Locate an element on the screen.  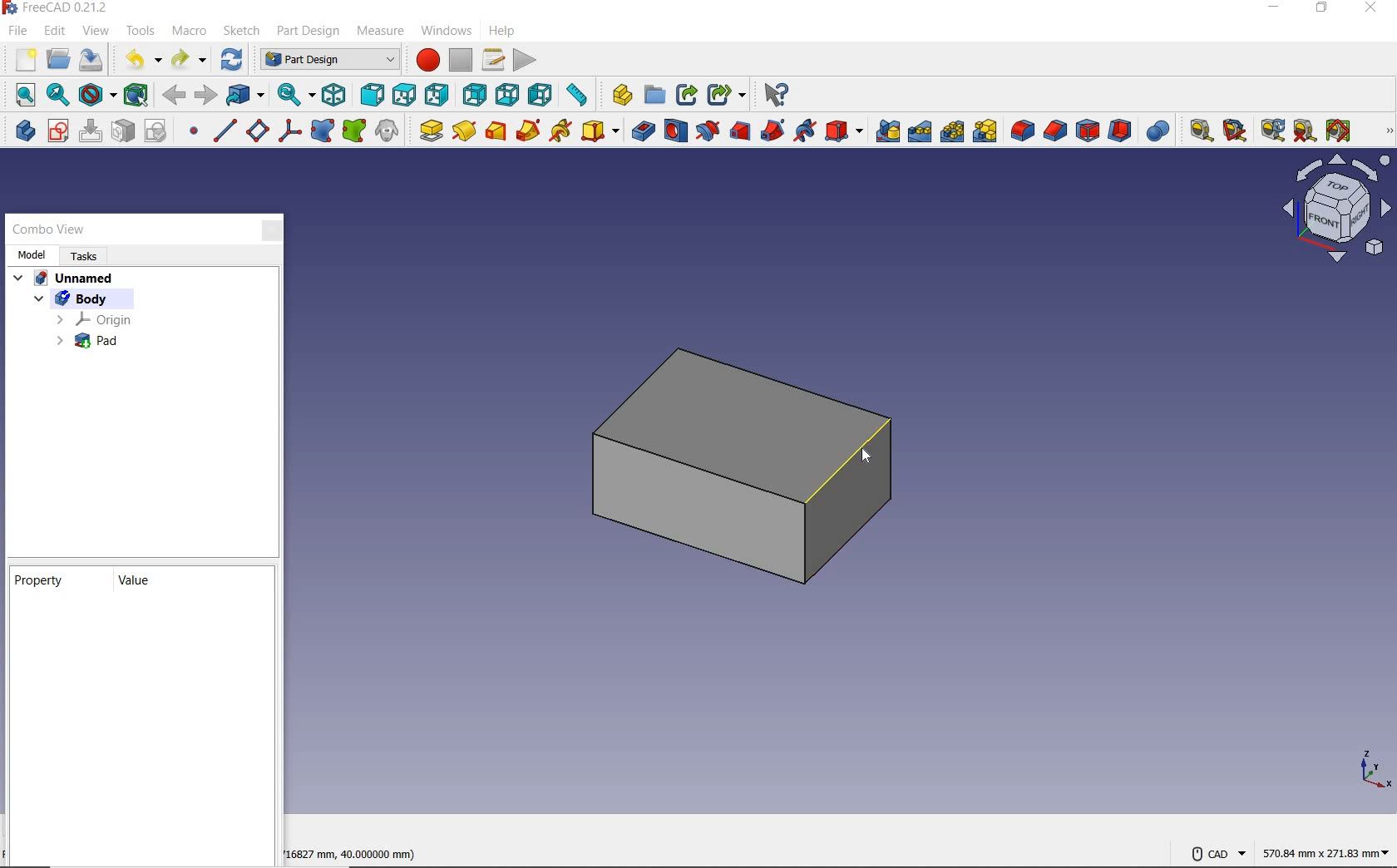
create a datum line is located at coordinates (225, 131).